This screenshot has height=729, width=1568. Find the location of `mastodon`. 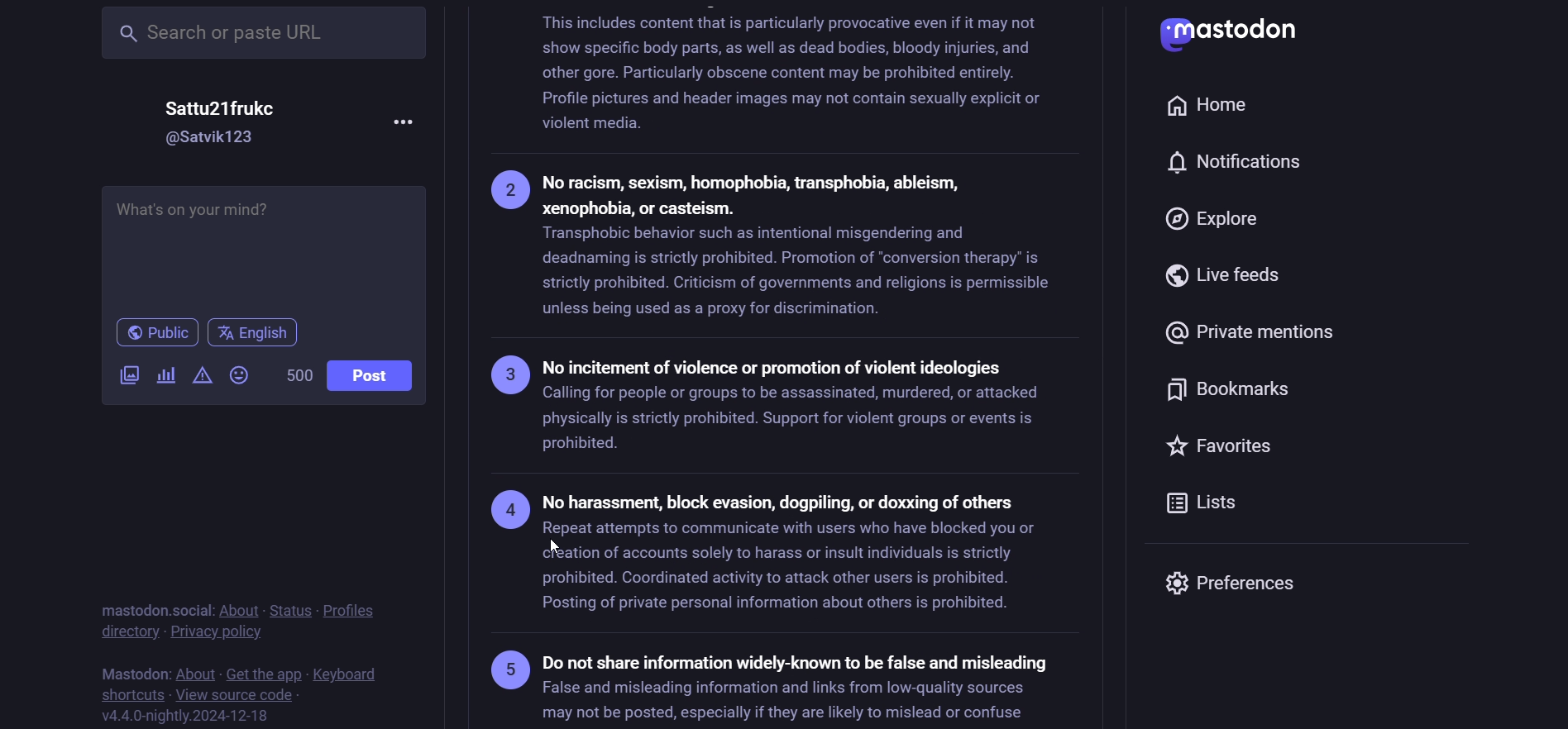

mastodon is located at coordinates (131, 670).